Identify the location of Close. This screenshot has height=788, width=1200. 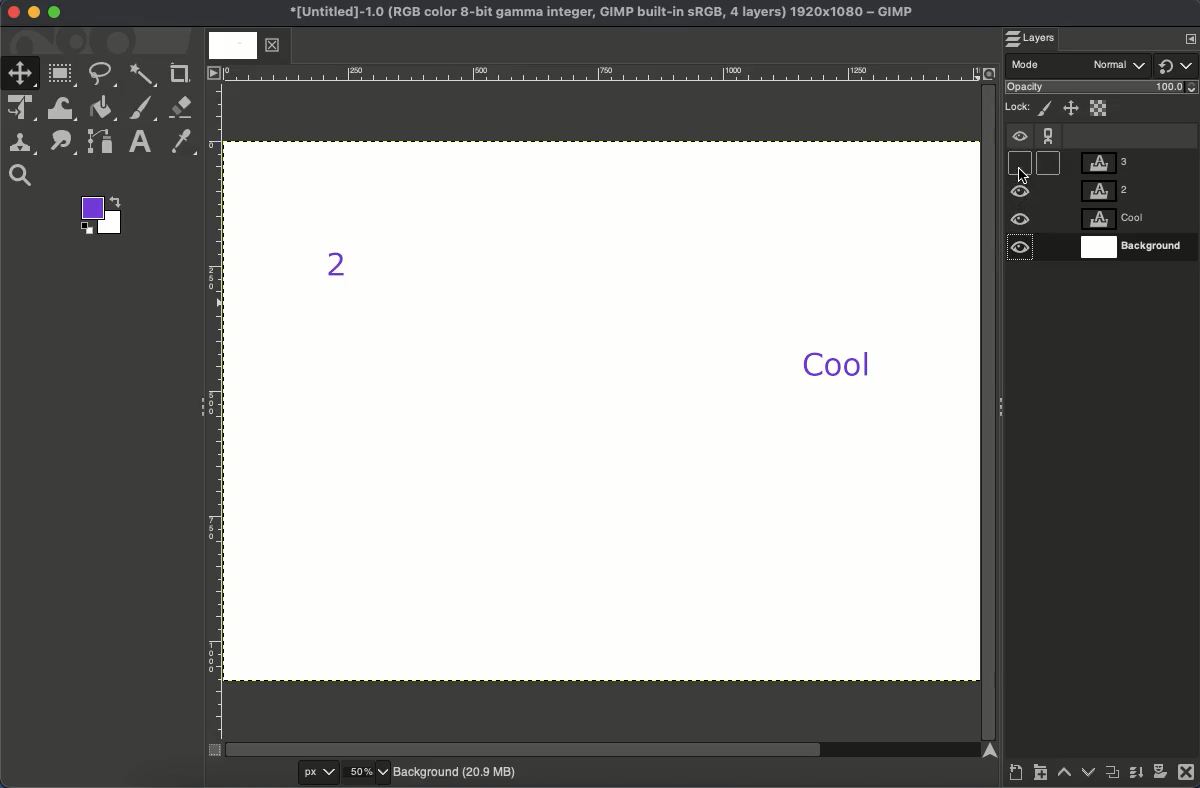
(11, 13).